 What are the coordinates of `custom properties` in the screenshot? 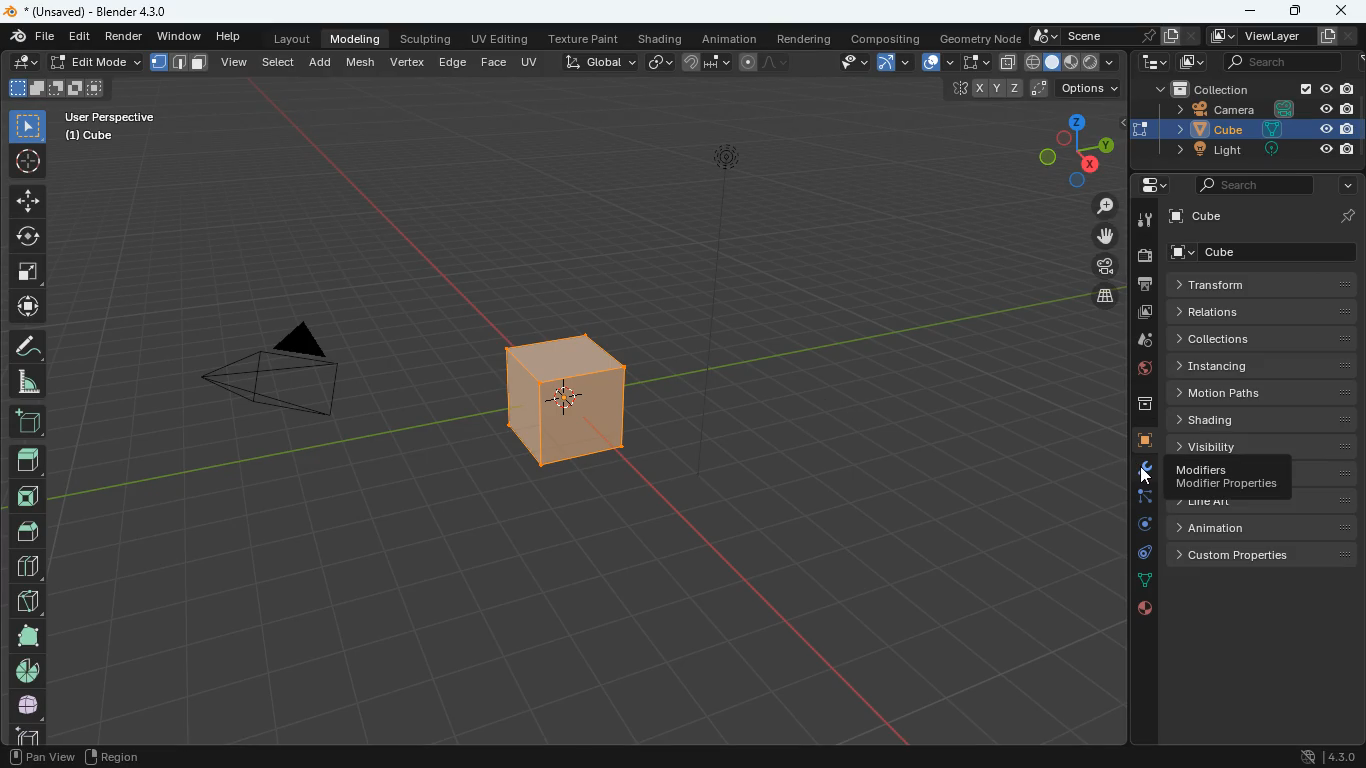 It's located at (1265, 555).